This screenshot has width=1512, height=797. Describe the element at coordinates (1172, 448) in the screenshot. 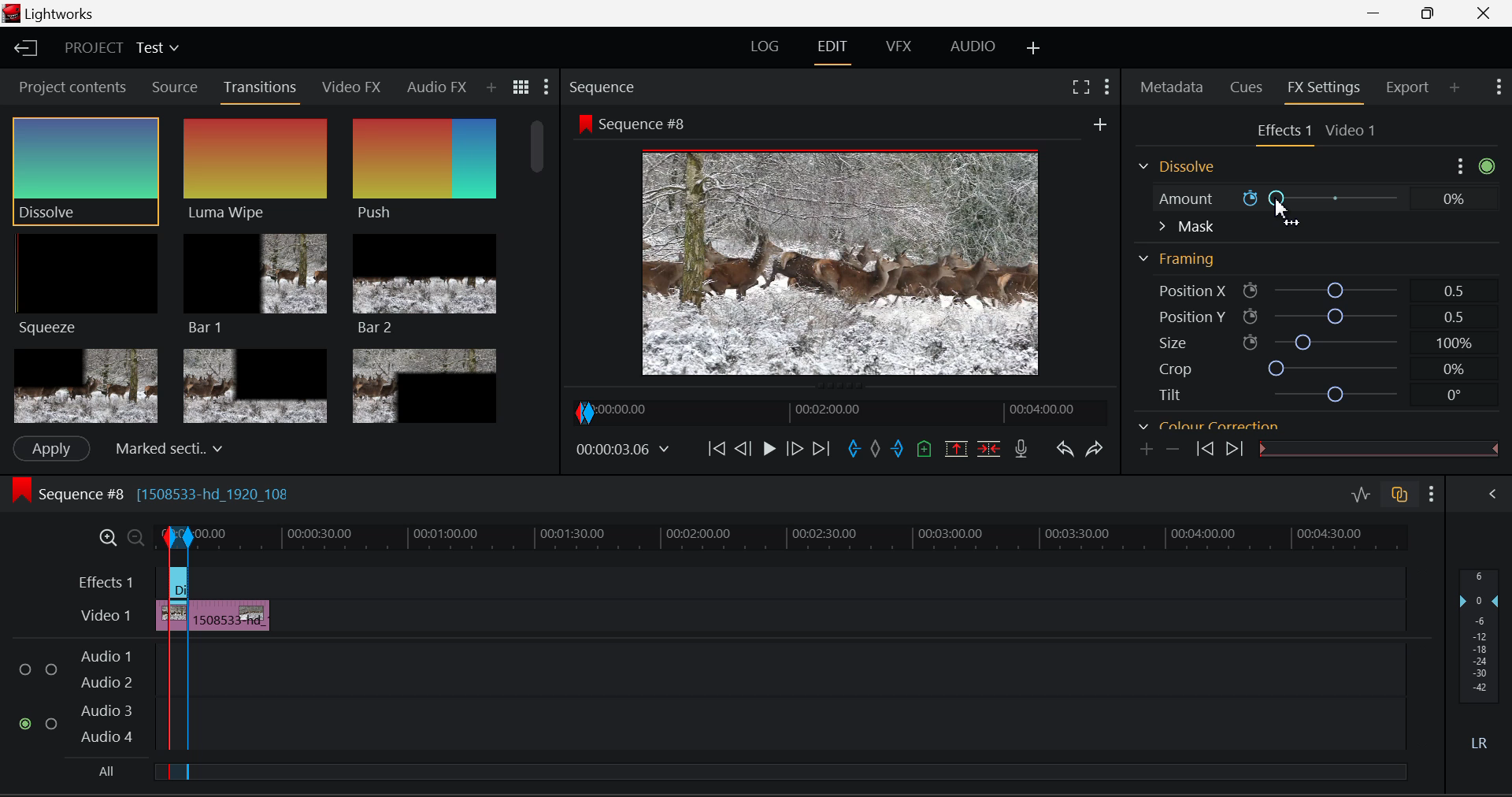

I see `Delete keyframes` at that location.